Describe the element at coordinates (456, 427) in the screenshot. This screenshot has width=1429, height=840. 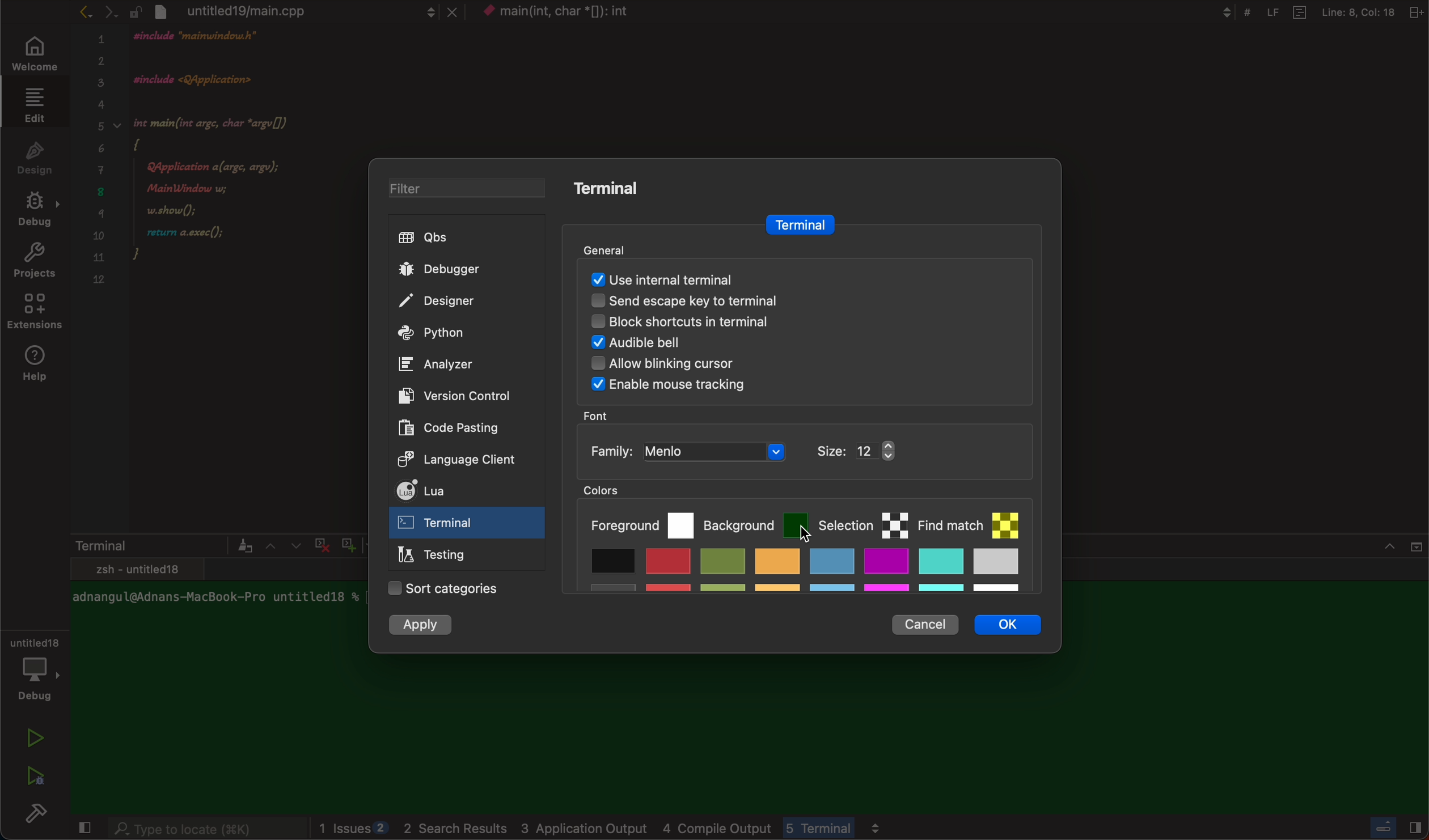
I see `code posting` at that location.